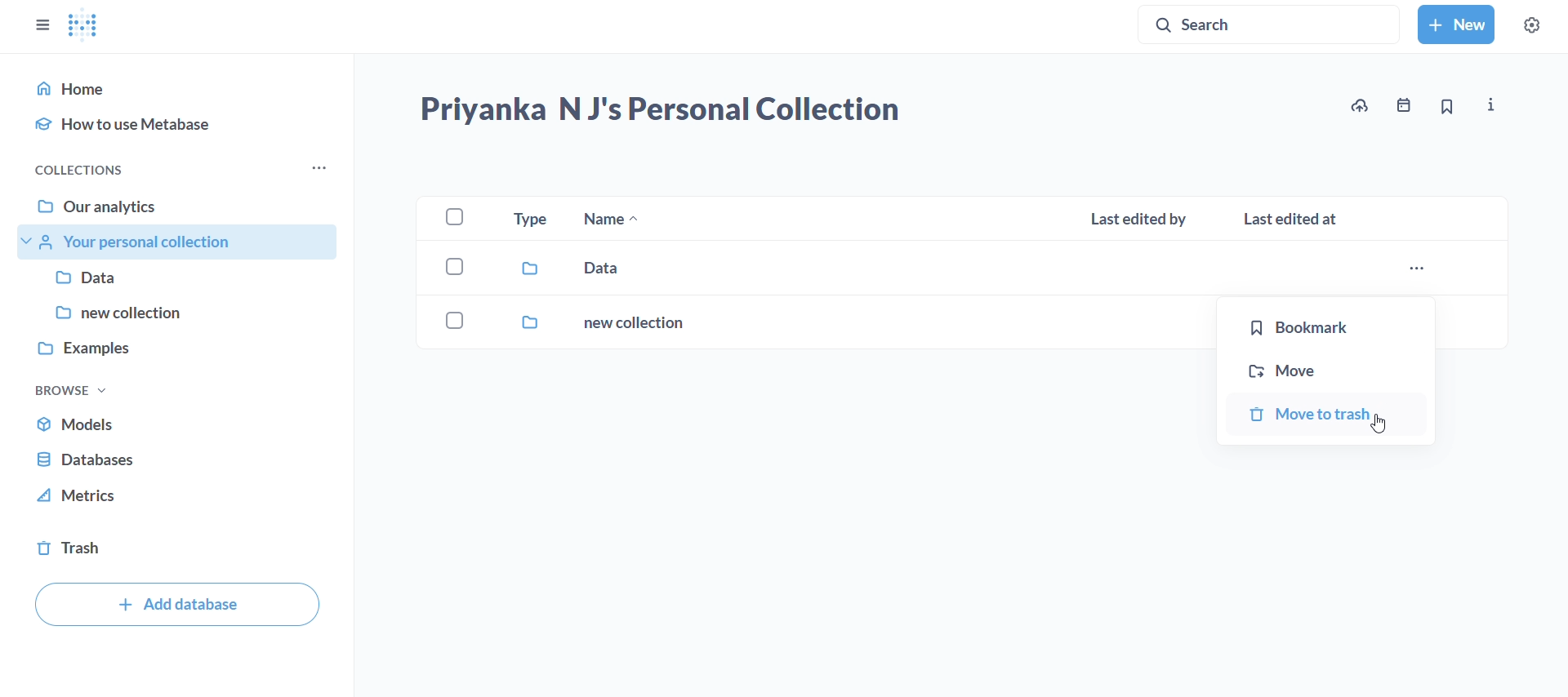  Describe the element at coordinates (184, 460) in the screenshot. I see `database` at that location.